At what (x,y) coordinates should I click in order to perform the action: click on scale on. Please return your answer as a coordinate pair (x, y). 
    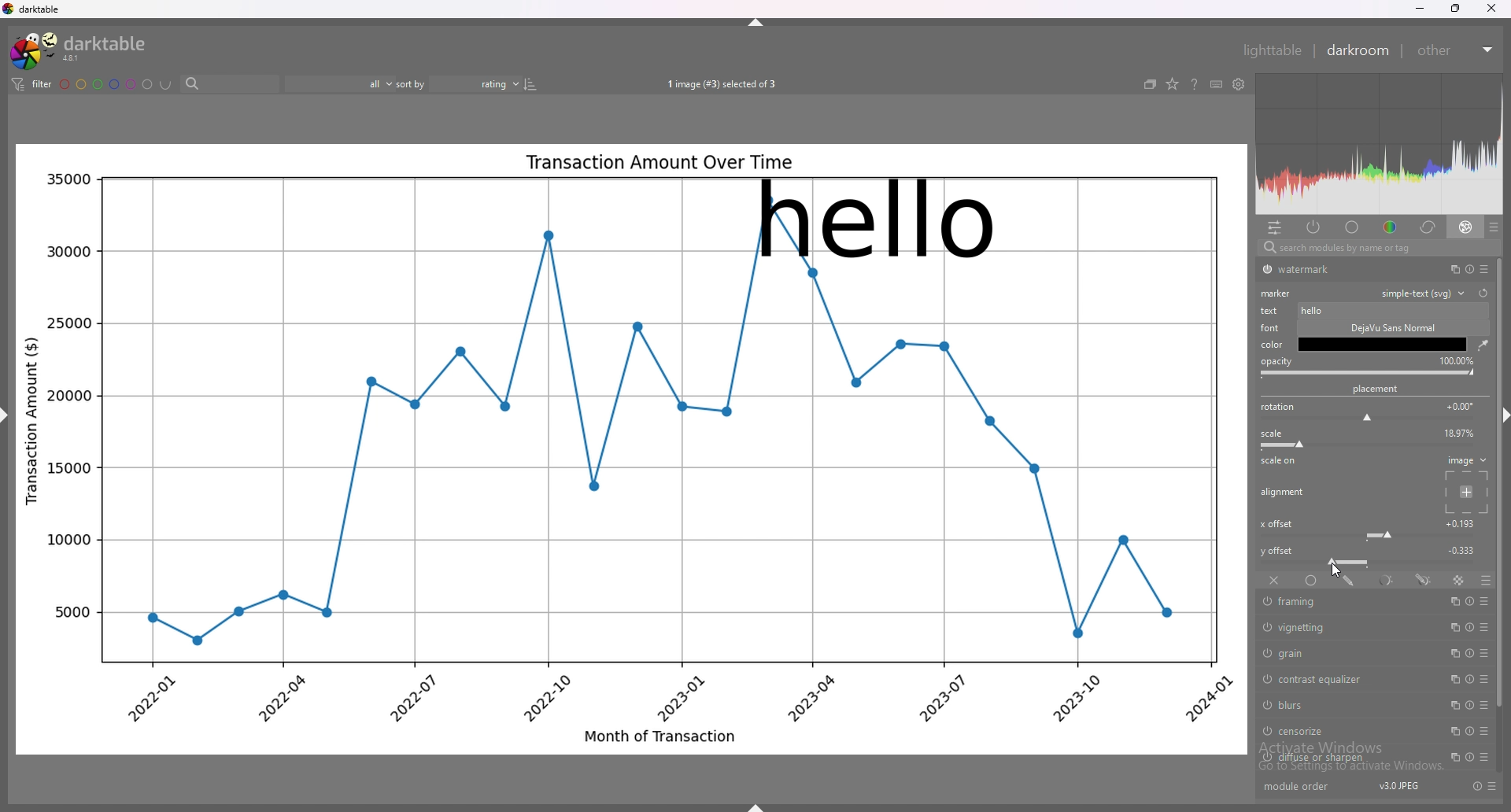
    Looking at the image, I should click on (1280, 463).